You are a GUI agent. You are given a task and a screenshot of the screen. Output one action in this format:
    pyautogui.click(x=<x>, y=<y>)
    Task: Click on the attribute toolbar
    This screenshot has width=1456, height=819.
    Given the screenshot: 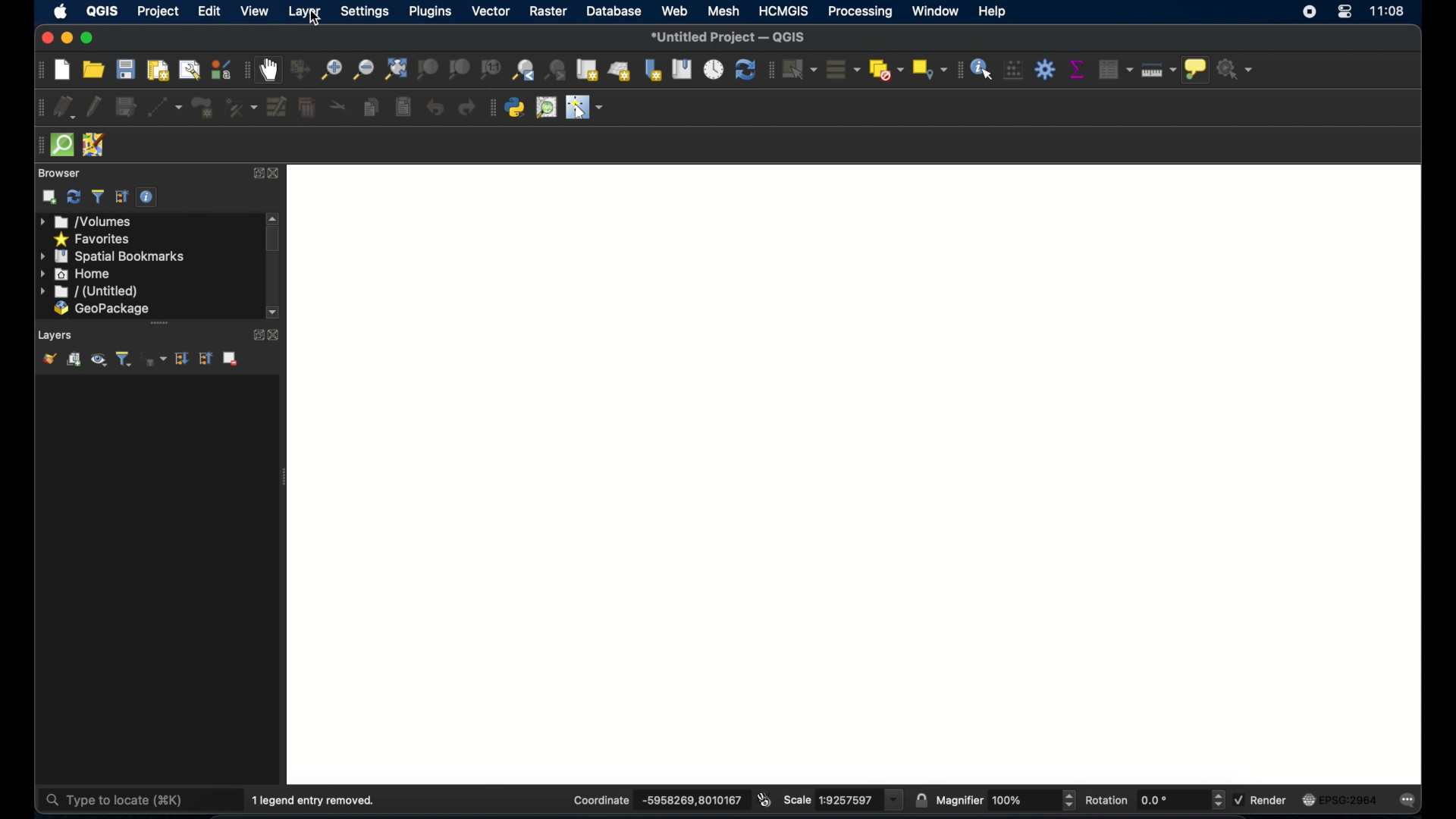 What is the action you would take?
    pyautogui.click(x=957, y=70)
    